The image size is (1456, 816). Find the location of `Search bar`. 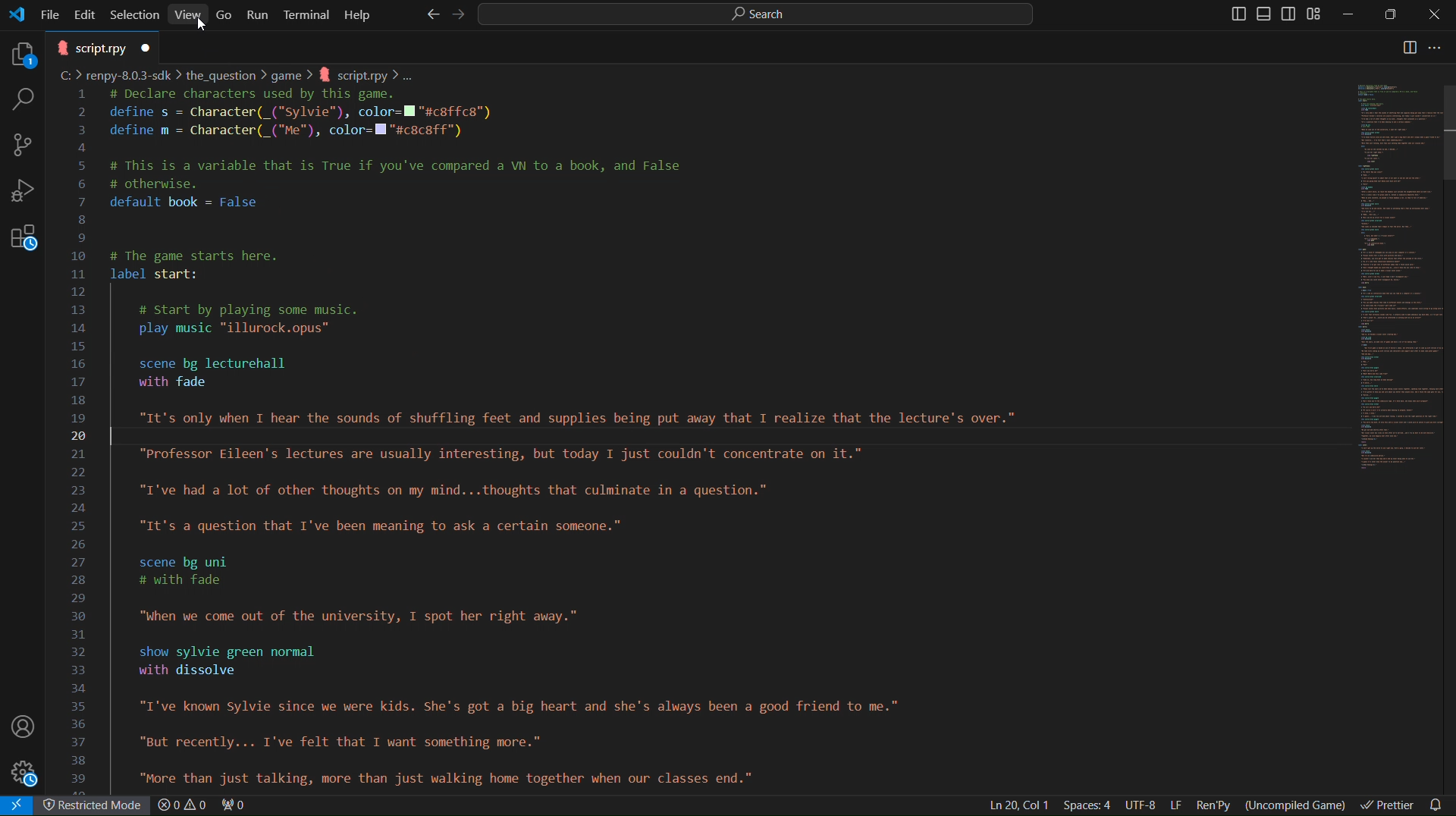

Search bar is located at coordinates (752, 14).